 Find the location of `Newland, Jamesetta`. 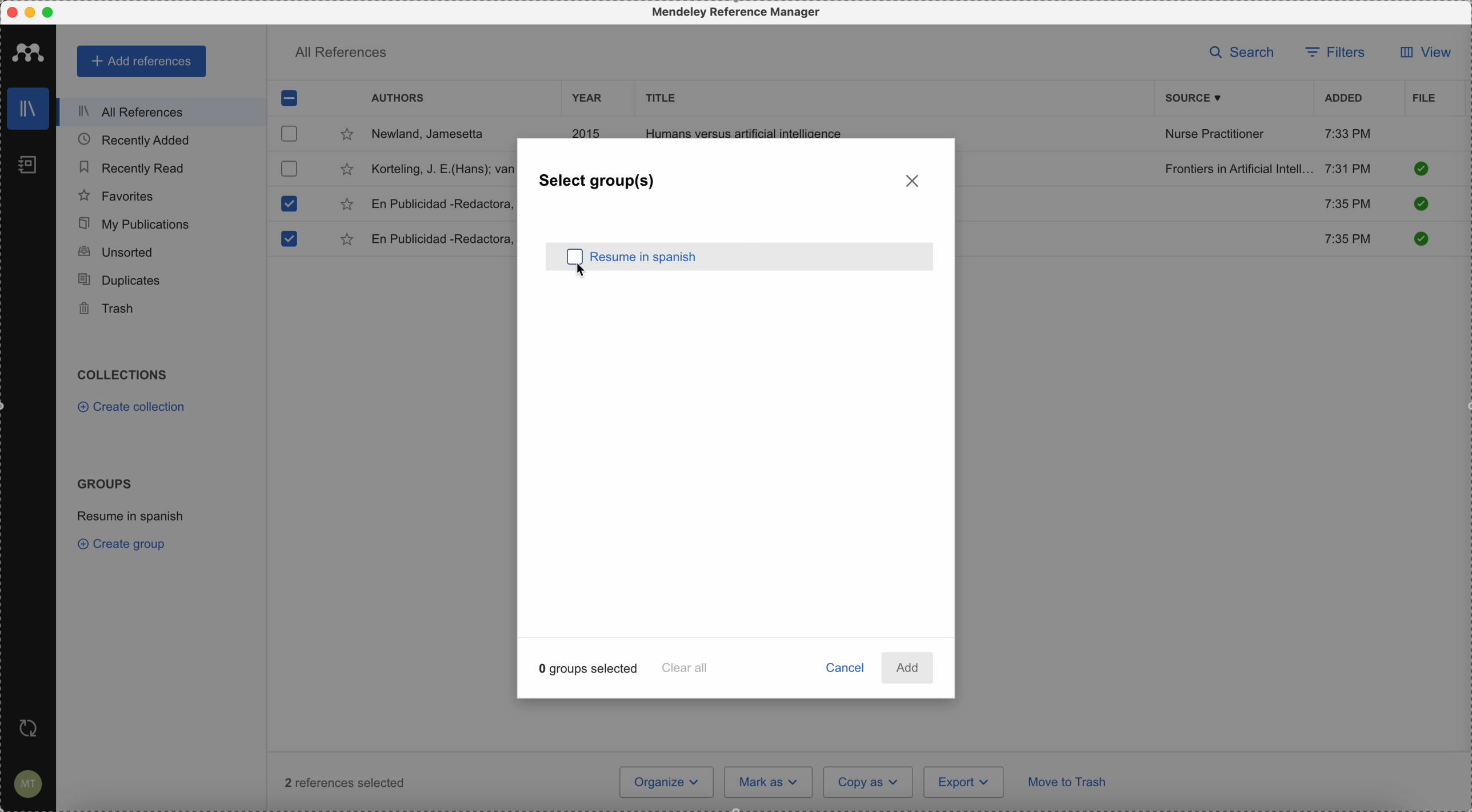

Newland, Jamesetta is located at coordinates (434, 135).